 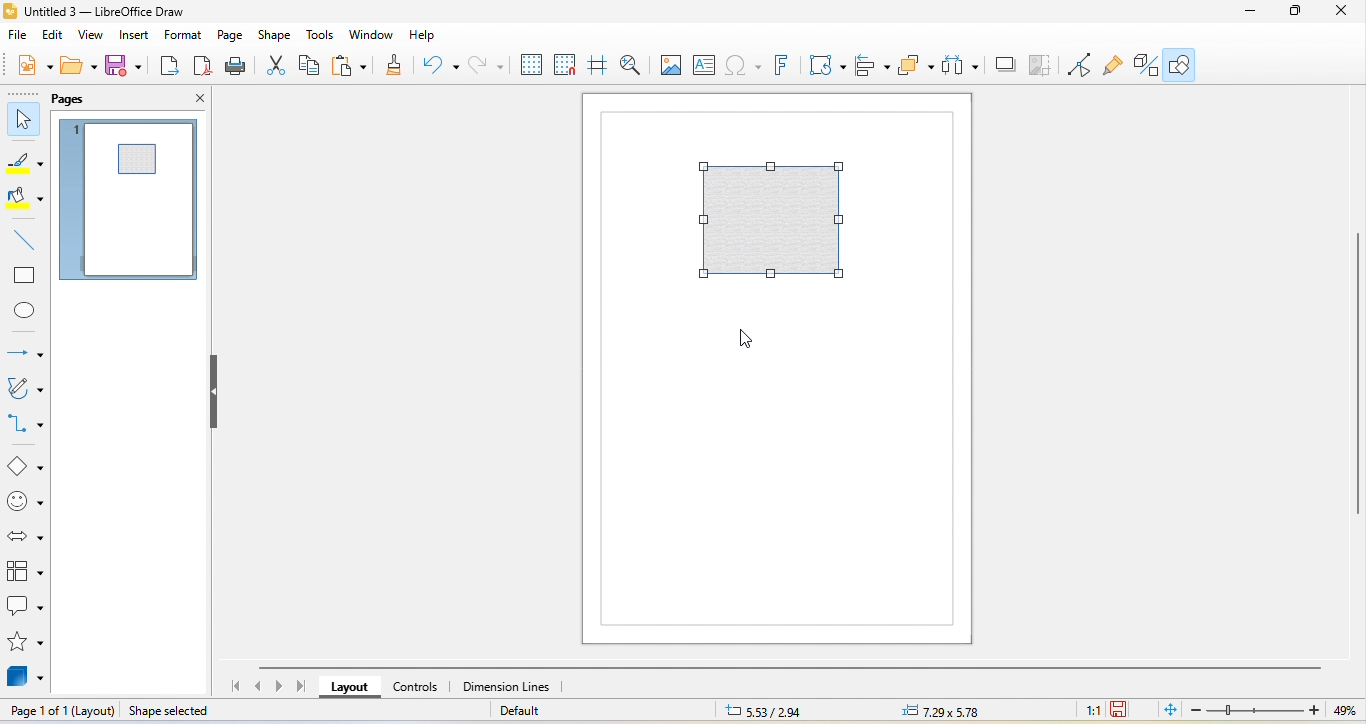 What do you see at coordinates (1189, 66) in the screenshot?
I see `show draw function` at bounding box center [1189, 66].